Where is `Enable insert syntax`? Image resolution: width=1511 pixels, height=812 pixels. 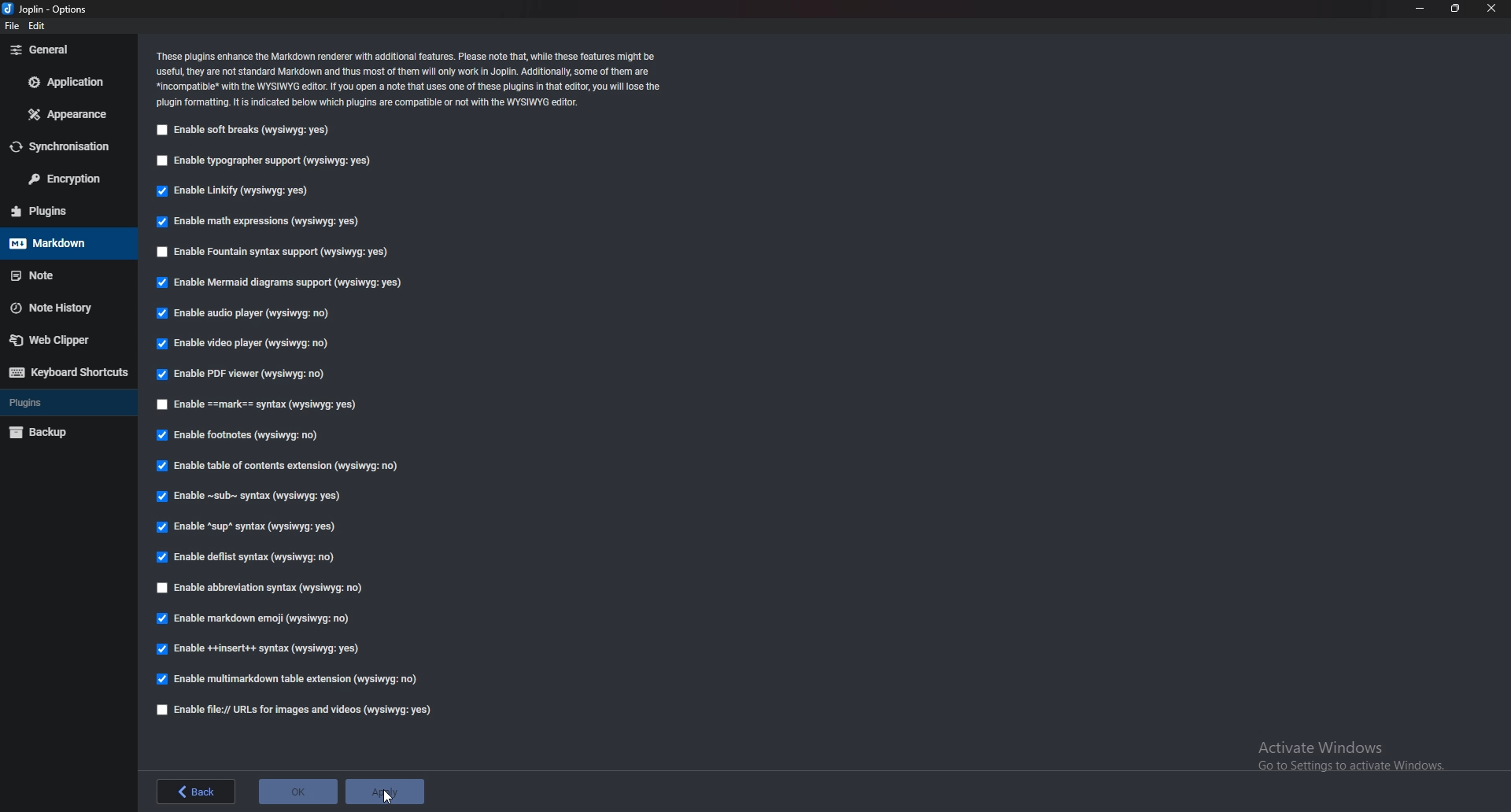
Enable insert syntax is located at coordinates (261, 648).